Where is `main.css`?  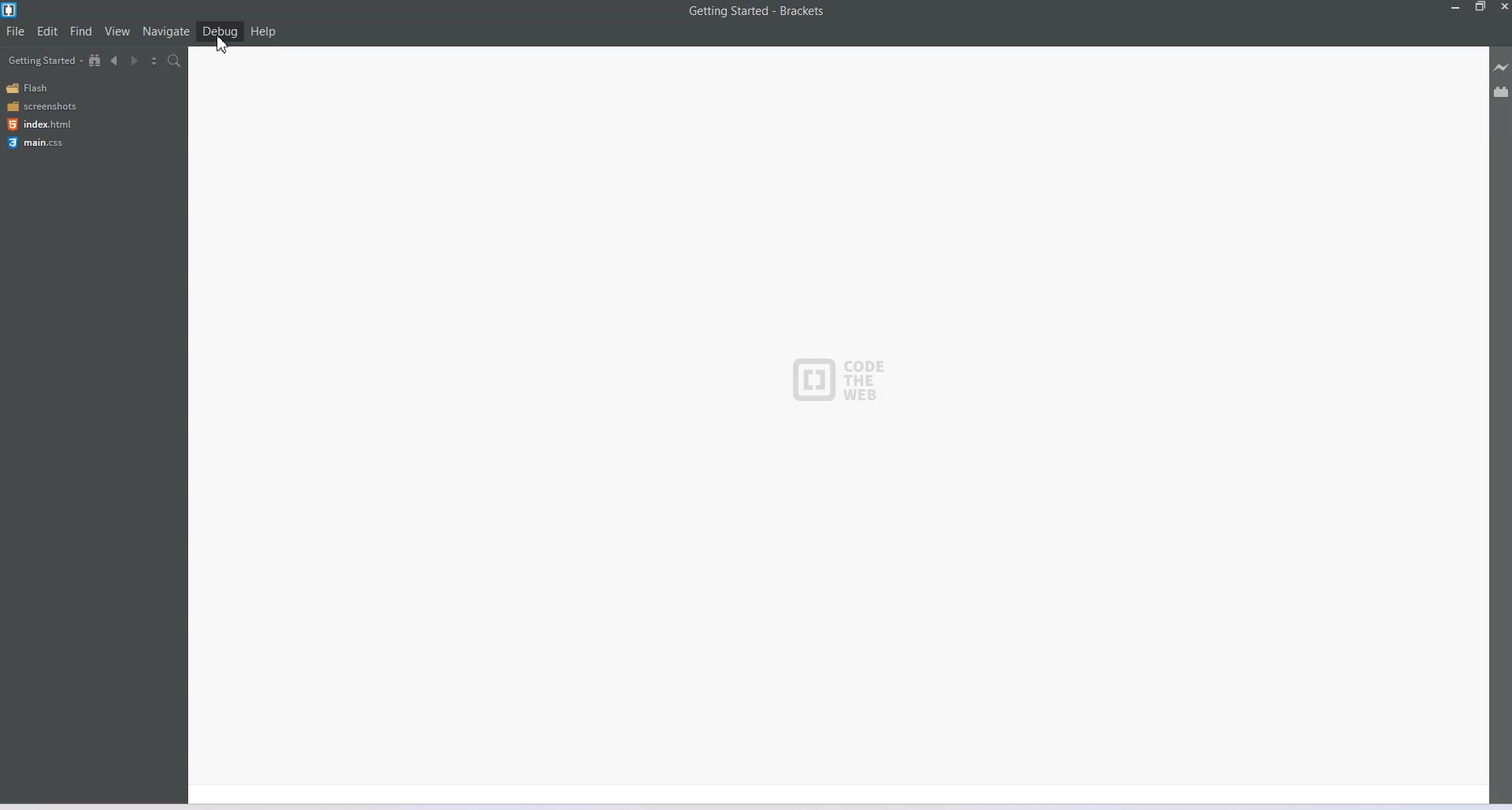 main.css is located at coordinates (35, 142).